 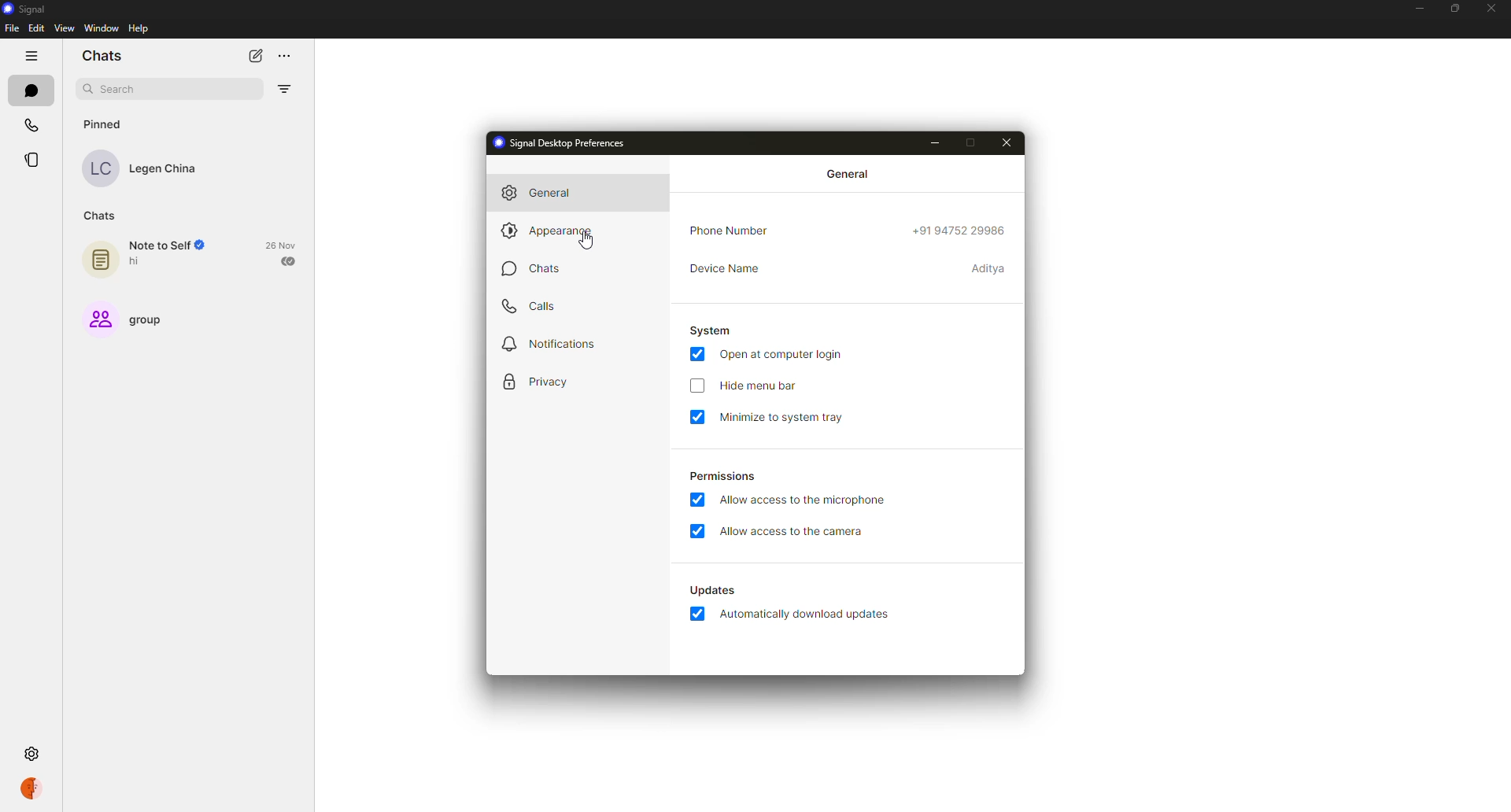 What do you see at coordinates (737, 233) in the screenshot?
I see `phone number` at bounding box center [737, 233].